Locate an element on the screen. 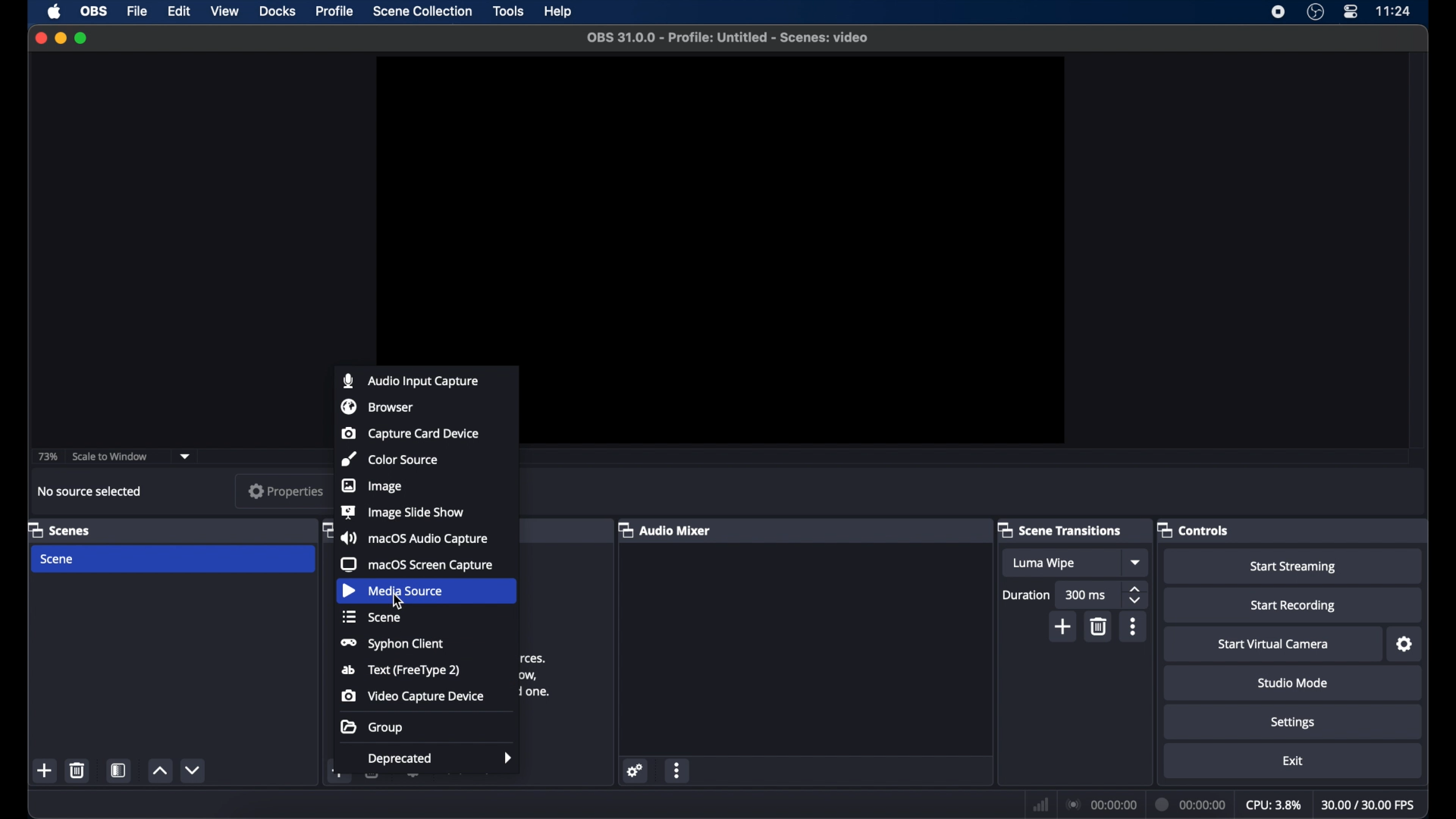 The width and height of the screenshot is (1456, 819). network is located at coordinates (1040, 805).